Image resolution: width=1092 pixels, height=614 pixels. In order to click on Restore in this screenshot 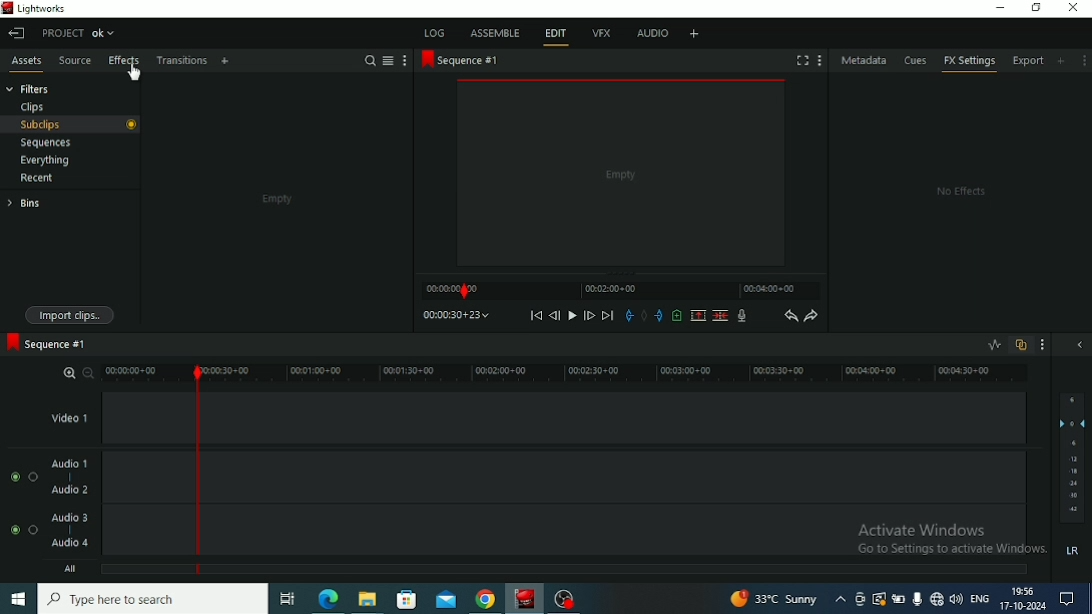, I will do `click(1036, 9)`.